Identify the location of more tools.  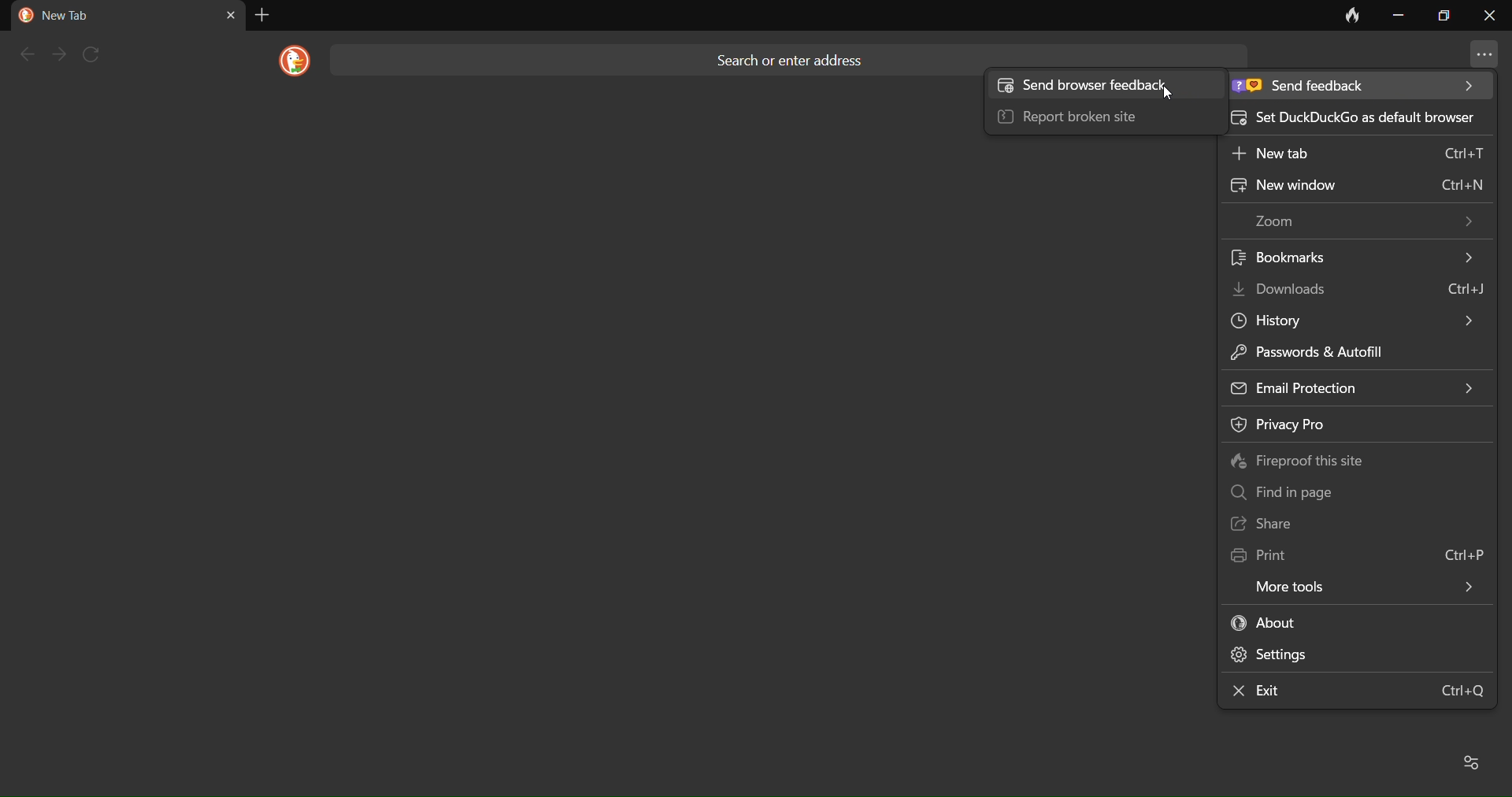
(1362, 585).